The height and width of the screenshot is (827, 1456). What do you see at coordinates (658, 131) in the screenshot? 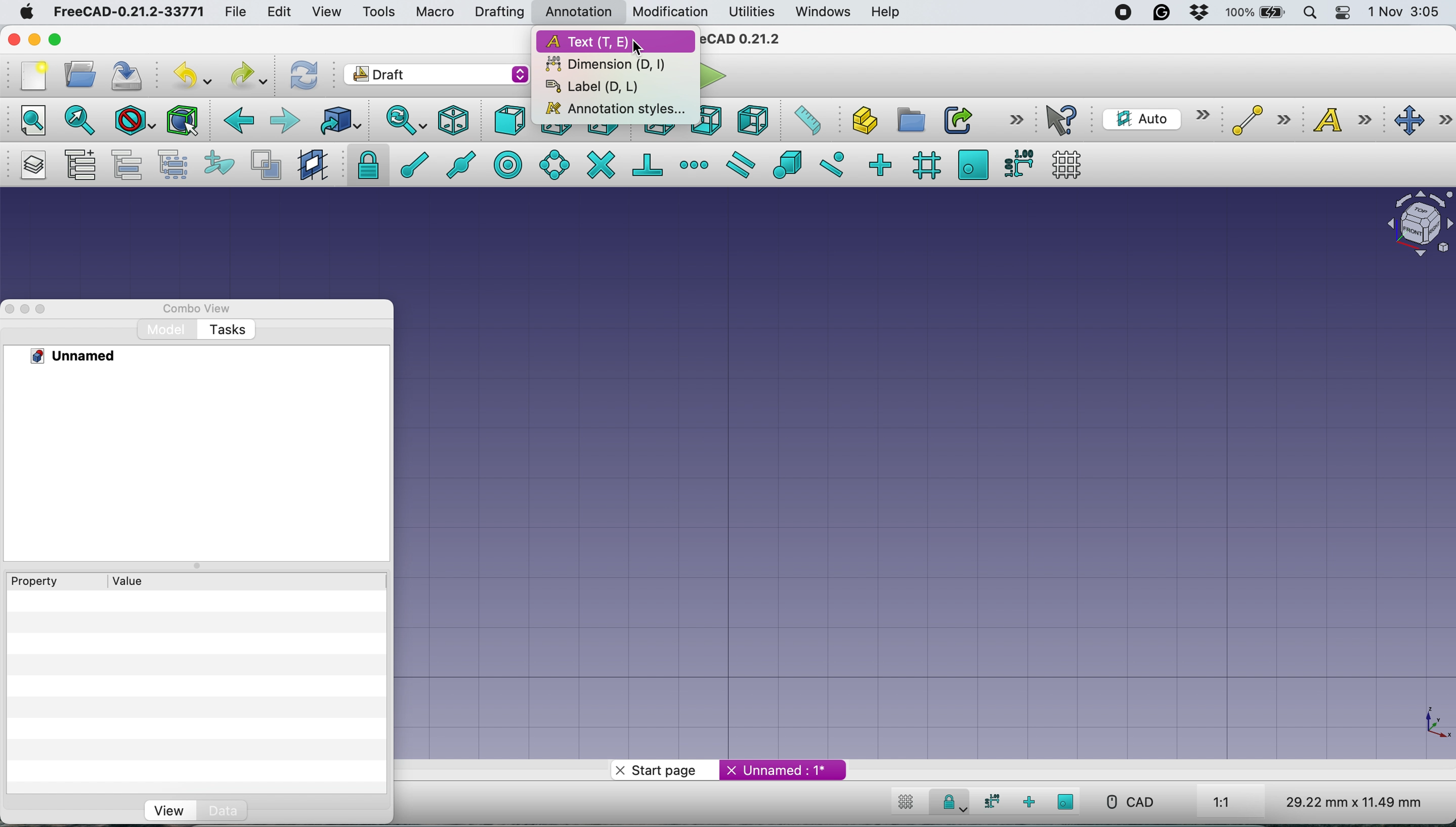
I see `rear` at bounding box center [658, 131].